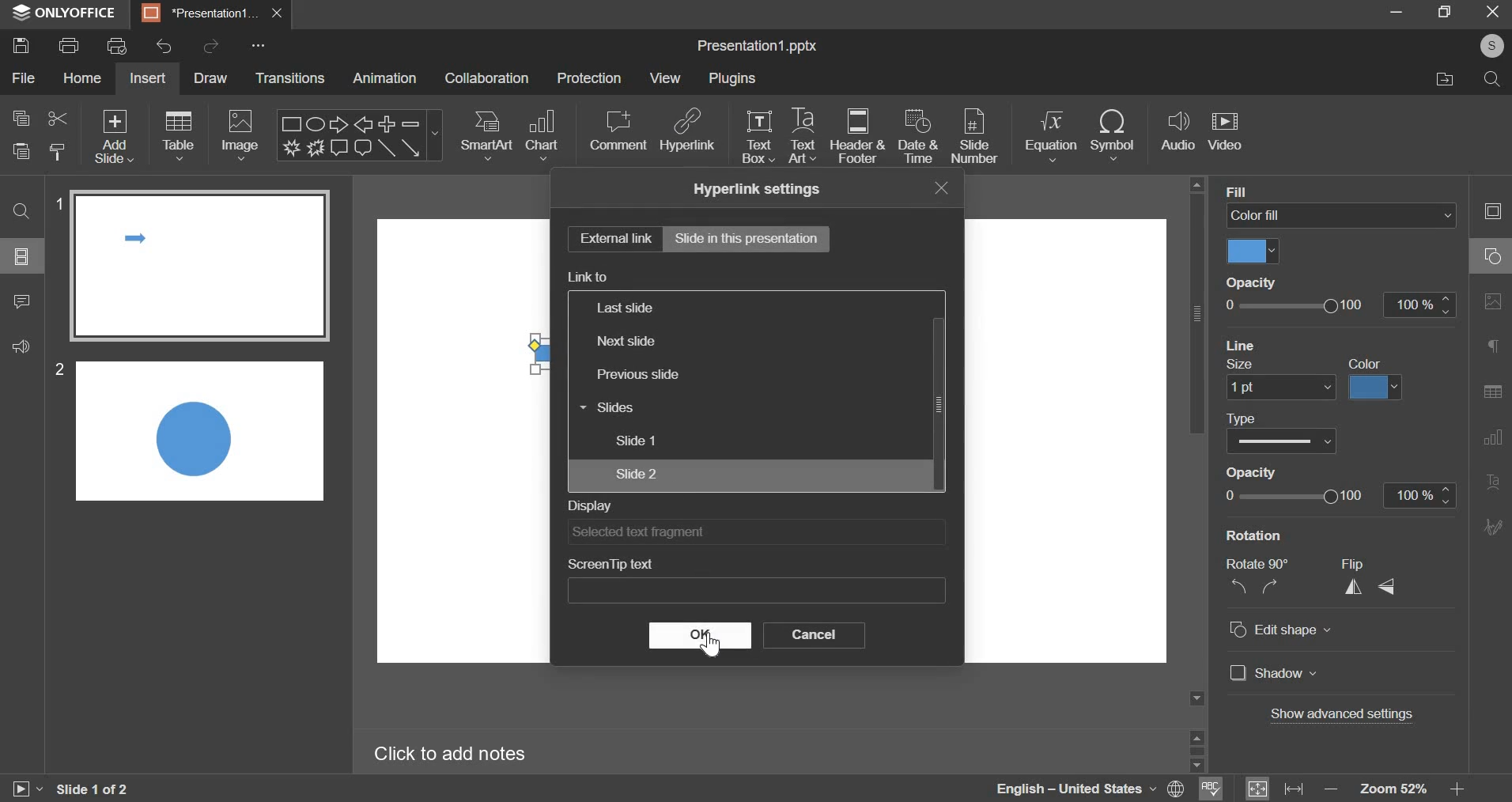  What do you see at coordinates (1260, 535) in the screenshot?
I see `rotation` at bounding box center [1260, 535].